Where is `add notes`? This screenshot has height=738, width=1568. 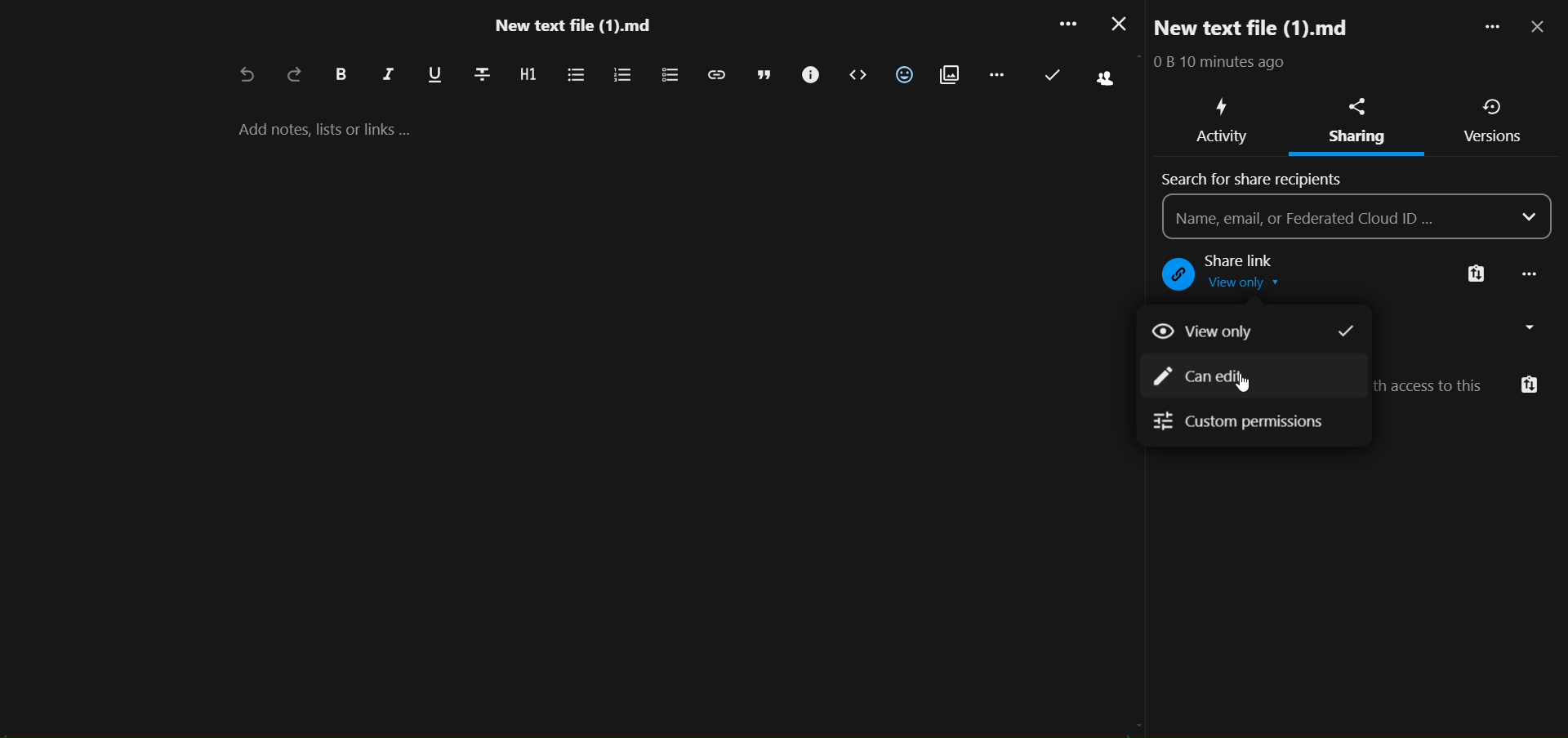 add notes is located at coordinates (342, 129).